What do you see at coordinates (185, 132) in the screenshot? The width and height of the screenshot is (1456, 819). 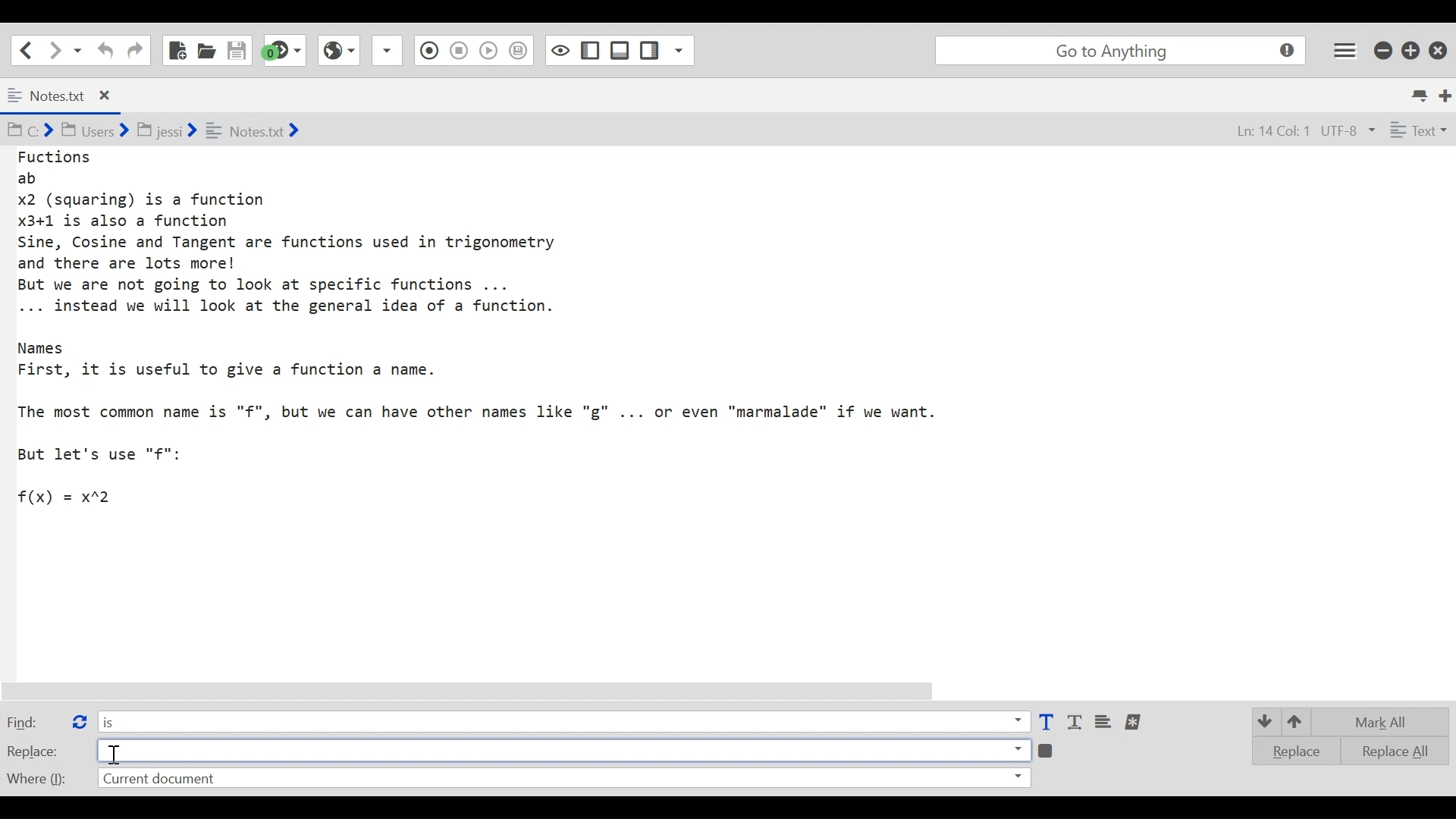 I see `Cd BY Users ¥ BJ jessi ¥ = Notesixt &` at bounding box center [185, 132].